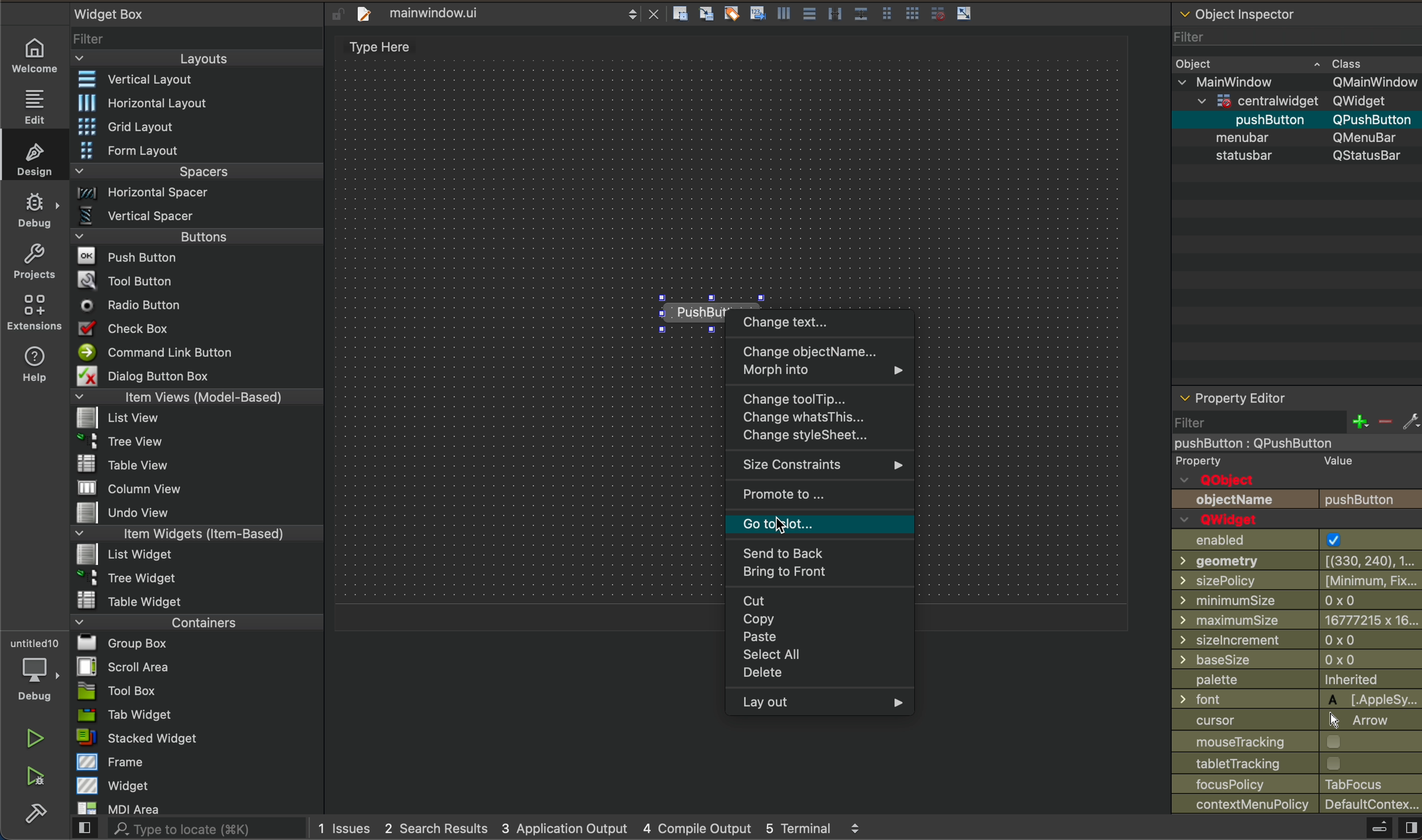 The height and width of the screenshot is (840, 1422). I want to click on push button, so click(197, 258).